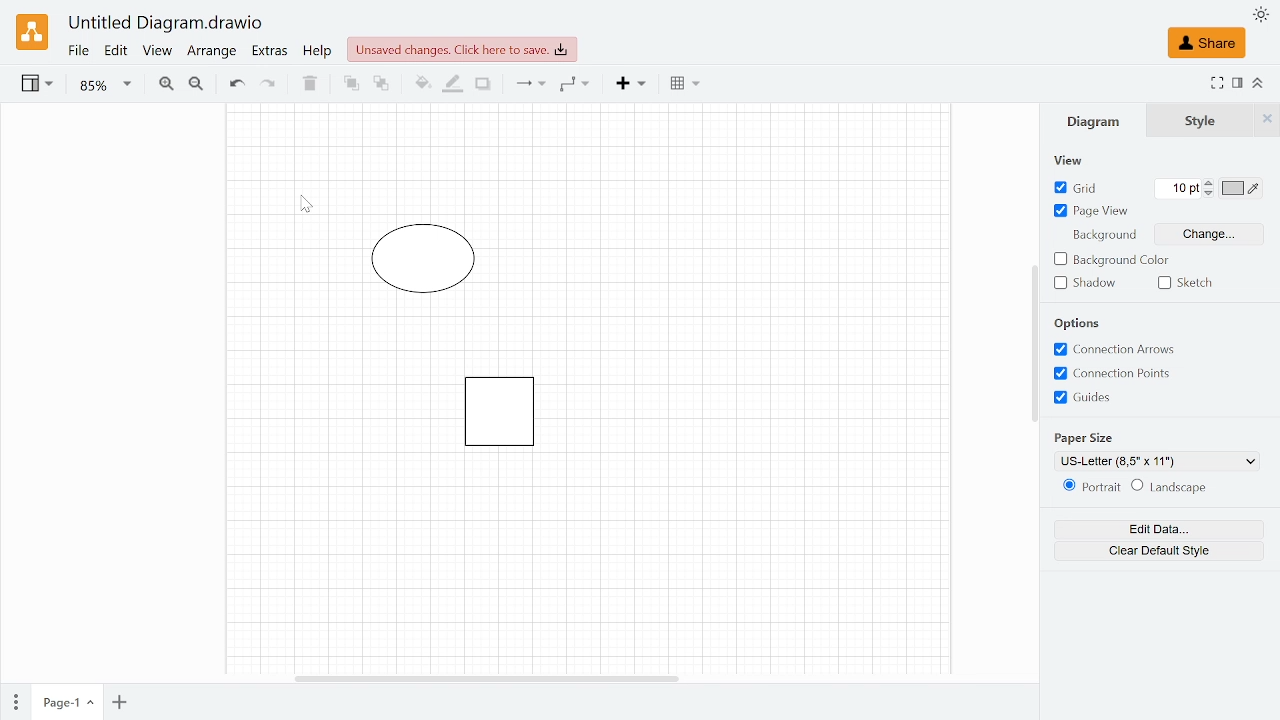  Describe the element at coordinates (1259, 82) in the screenshot. I see `Collapse` at that location.